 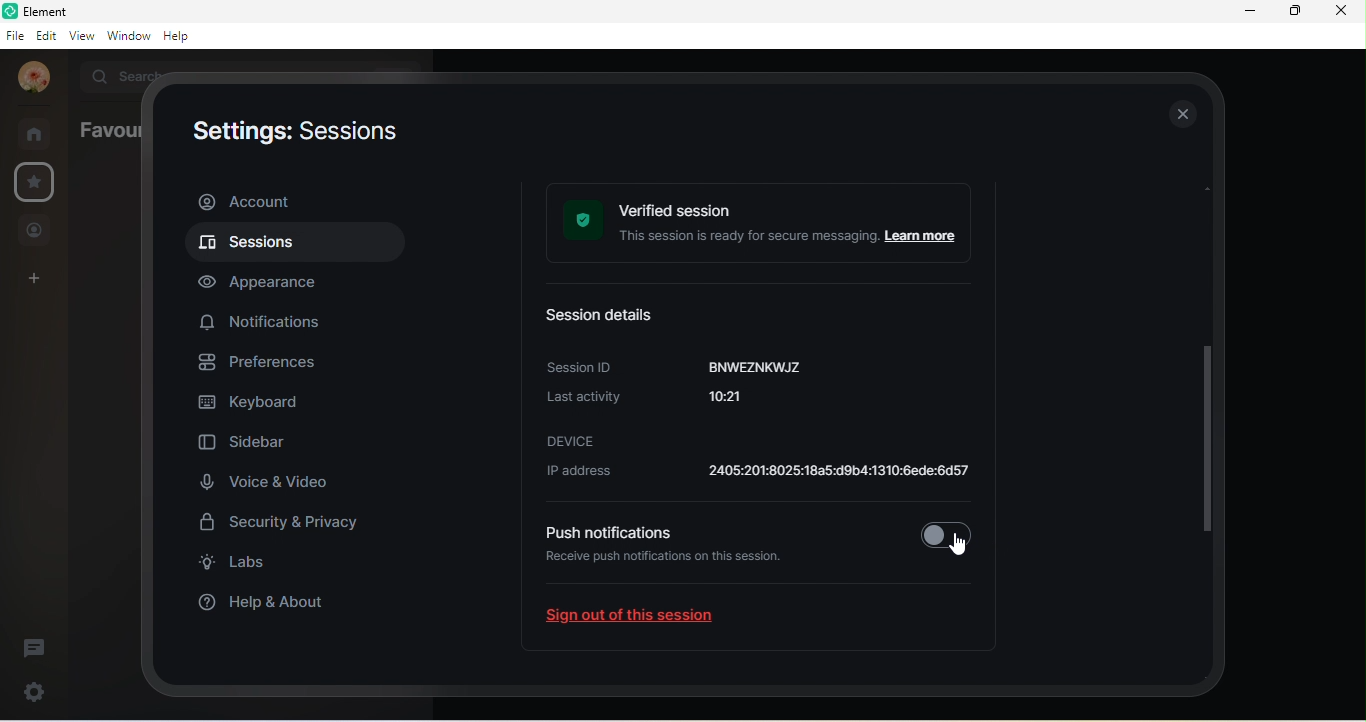 I want to click on notification, so click(x=265, y=320).